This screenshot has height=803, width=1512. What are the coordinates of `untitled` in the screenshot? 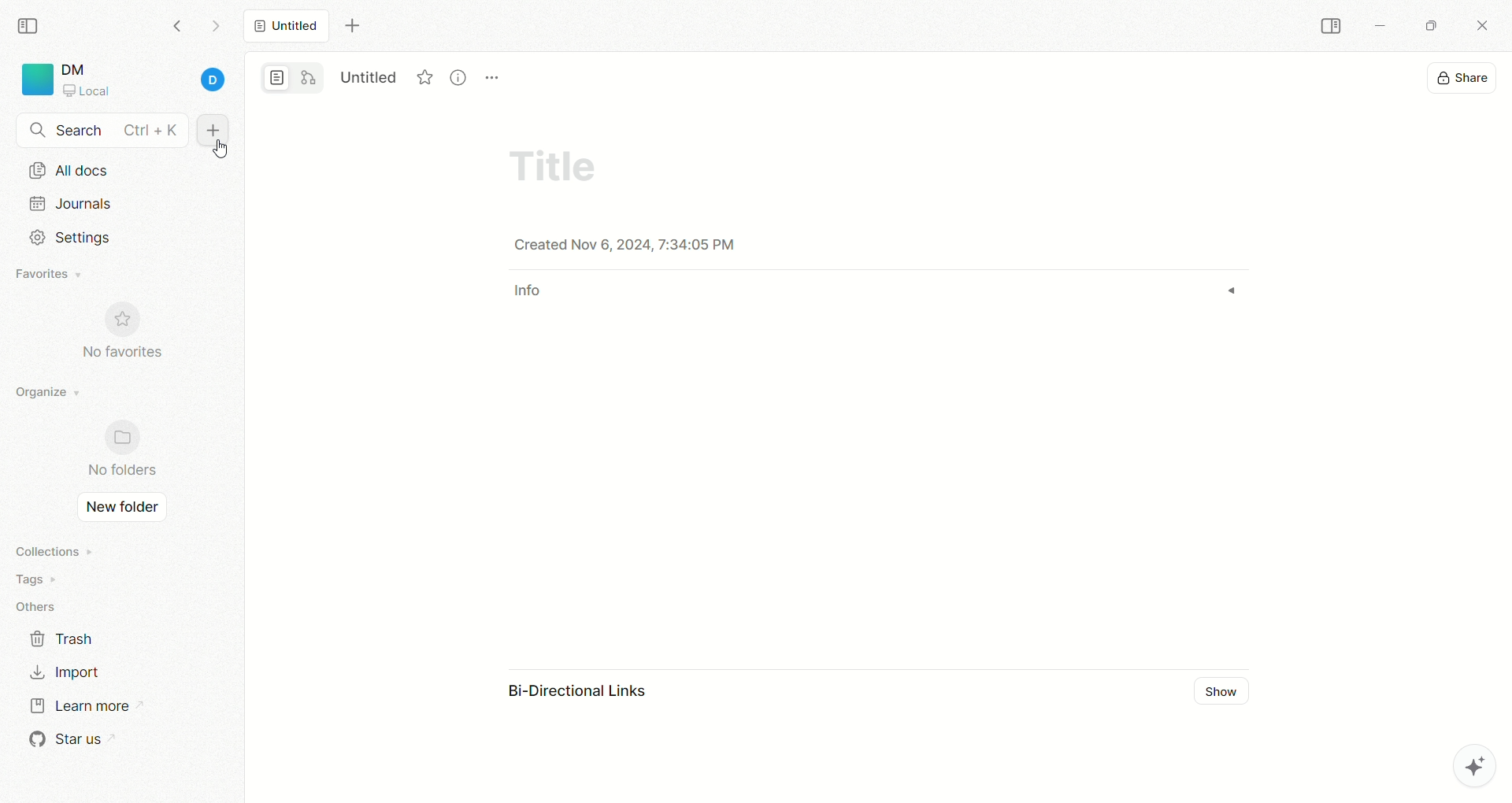 It's located at (369, 75).